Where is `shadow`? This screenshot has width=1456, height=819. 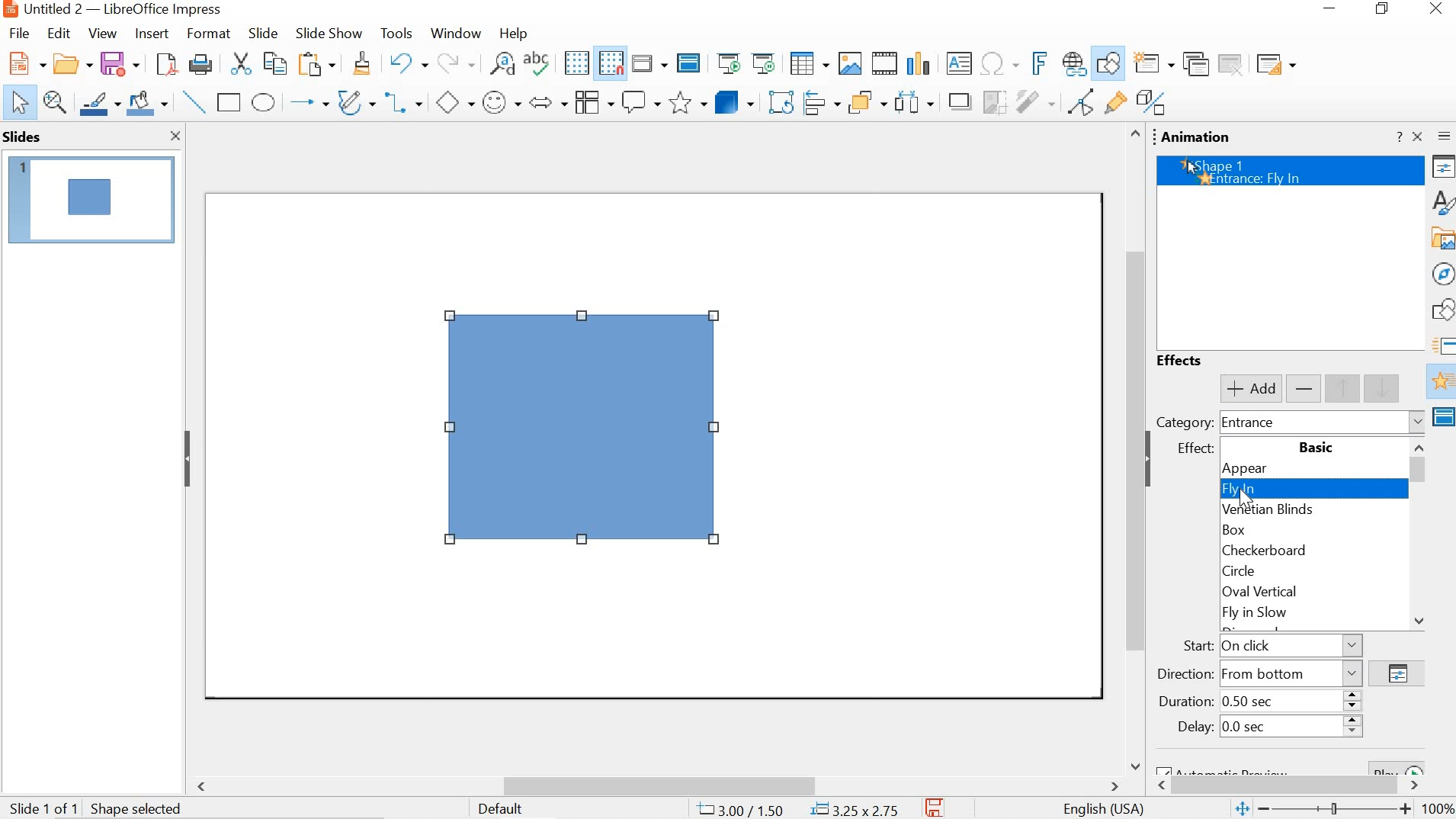
shadow is located at coordinates (954, 100).